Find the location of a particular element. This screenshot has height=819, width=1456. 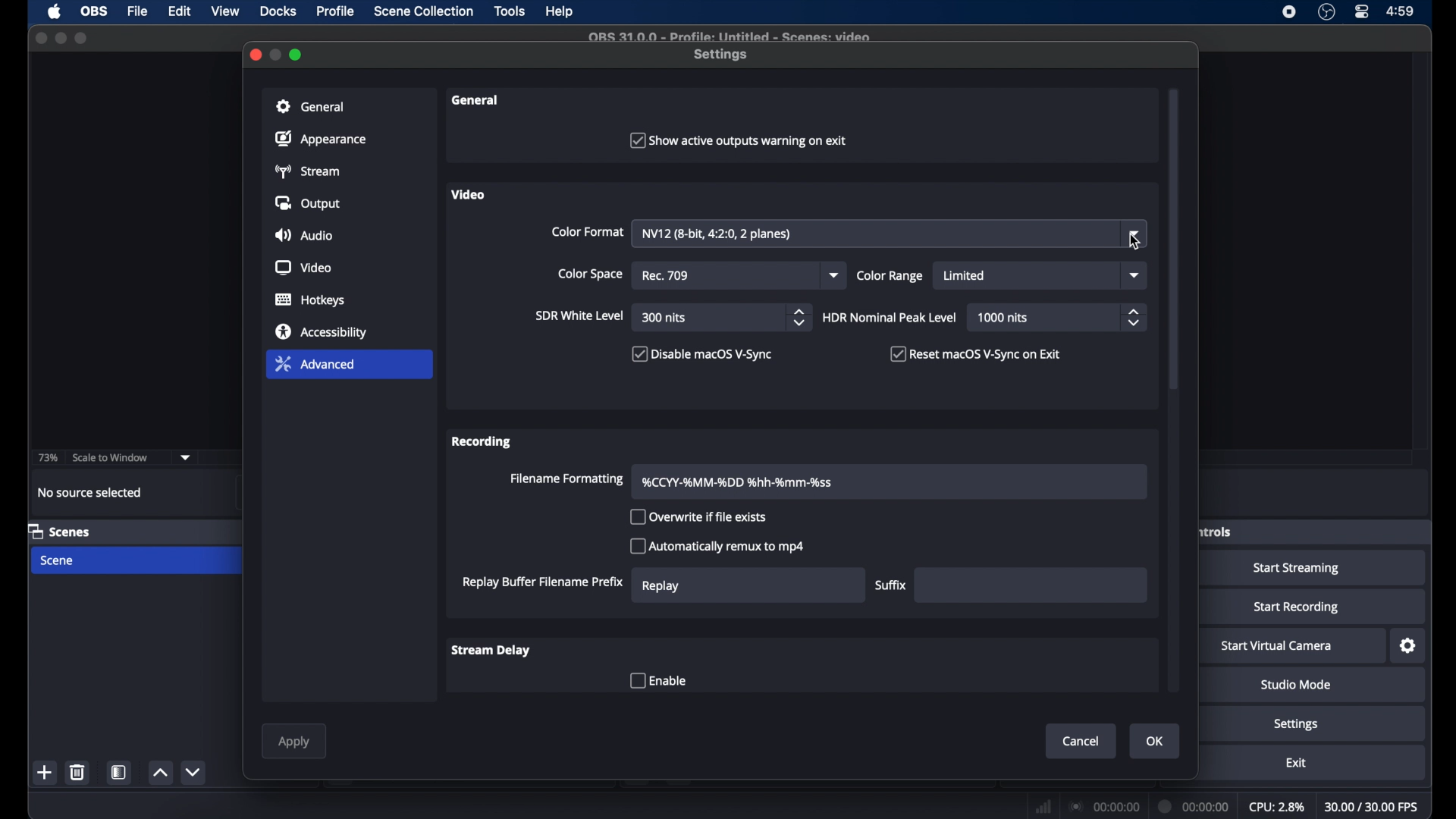

automatically  remux to mp4 is located at coordinates (717, 546).